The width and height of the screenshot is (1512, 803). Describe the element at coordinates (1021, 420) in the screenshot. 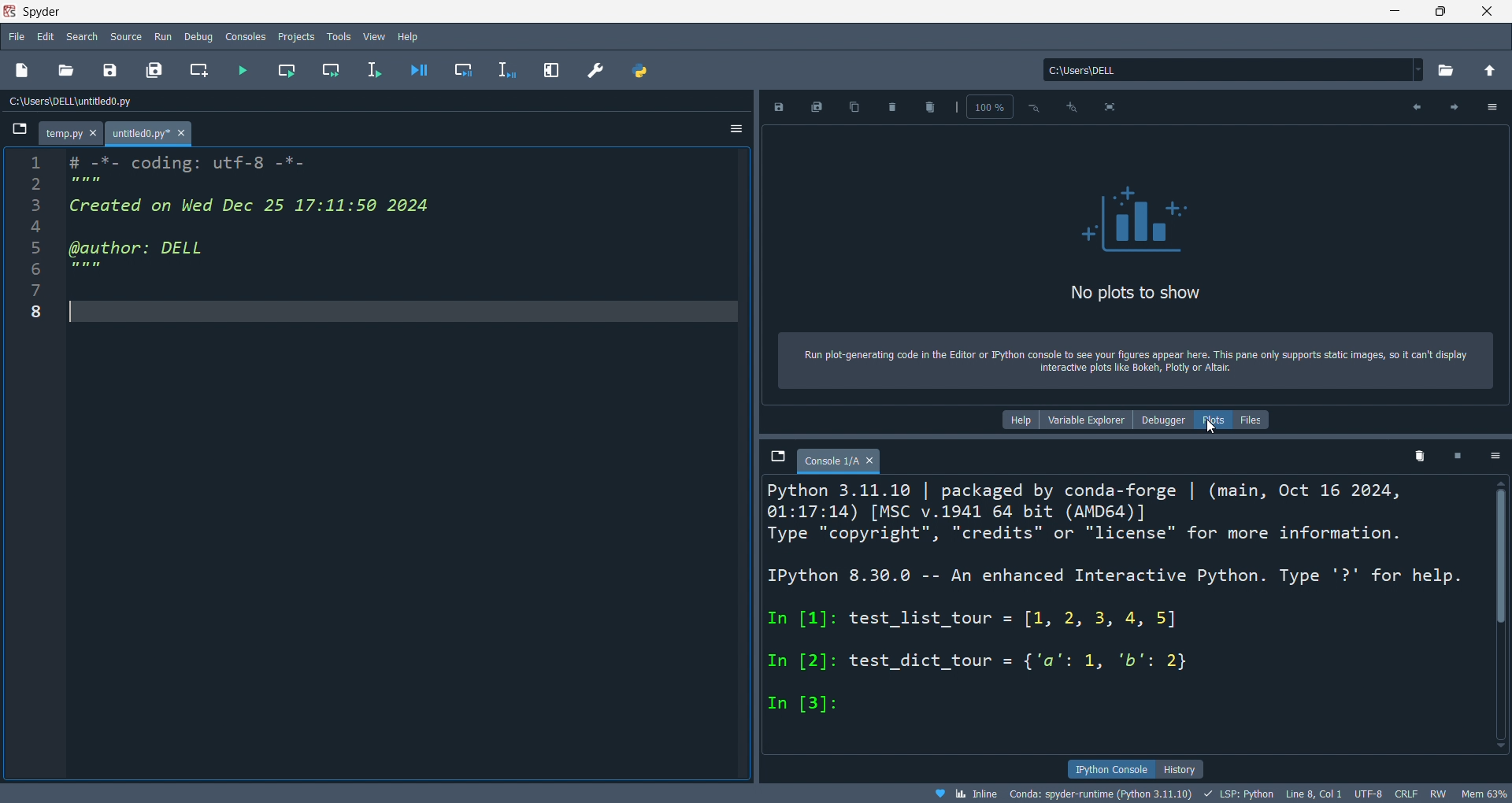

I see `help` at that location.